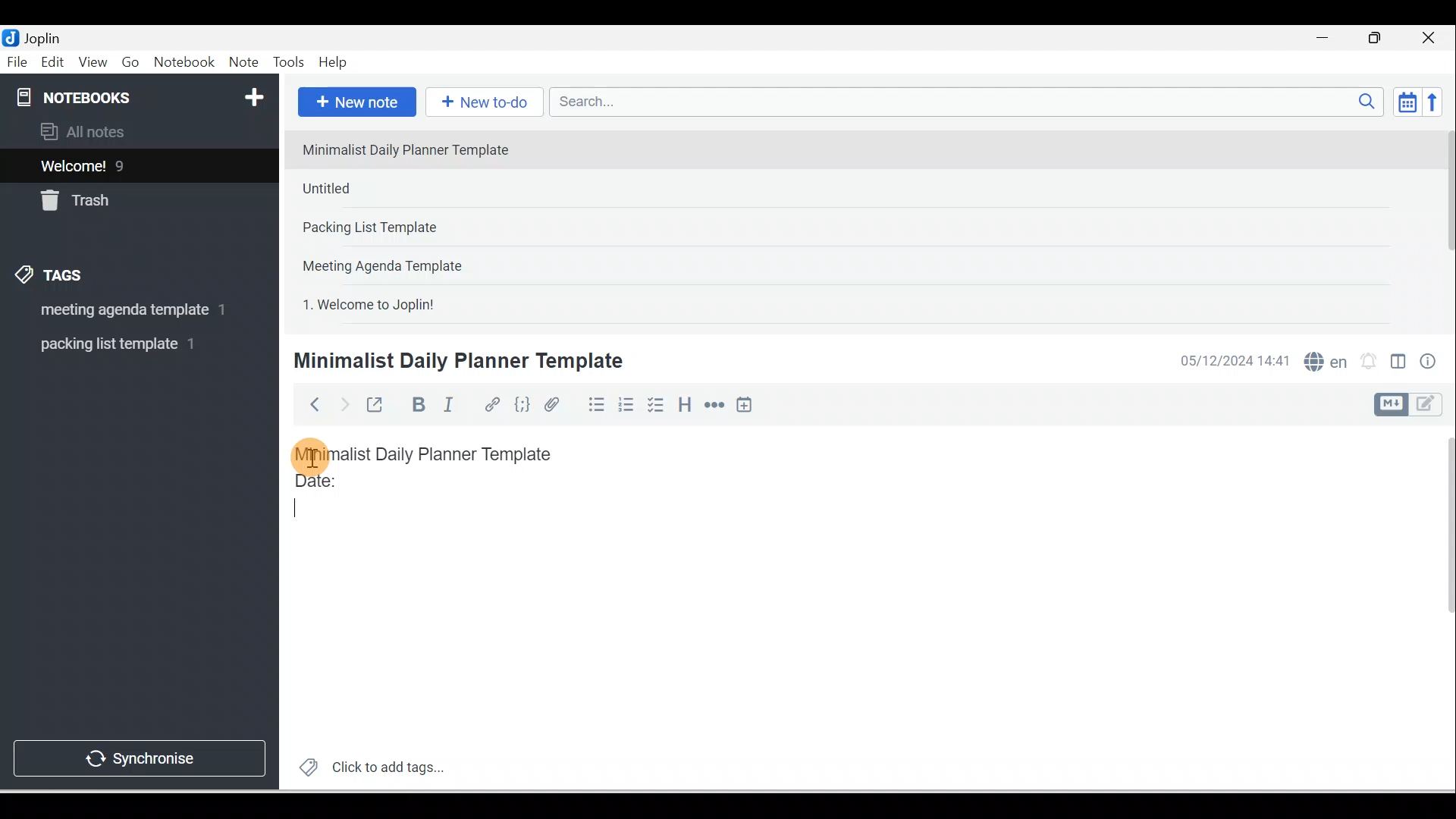  Describe the element at coordinates (359, 488) in the screenshot. I see `Date:` at that location.